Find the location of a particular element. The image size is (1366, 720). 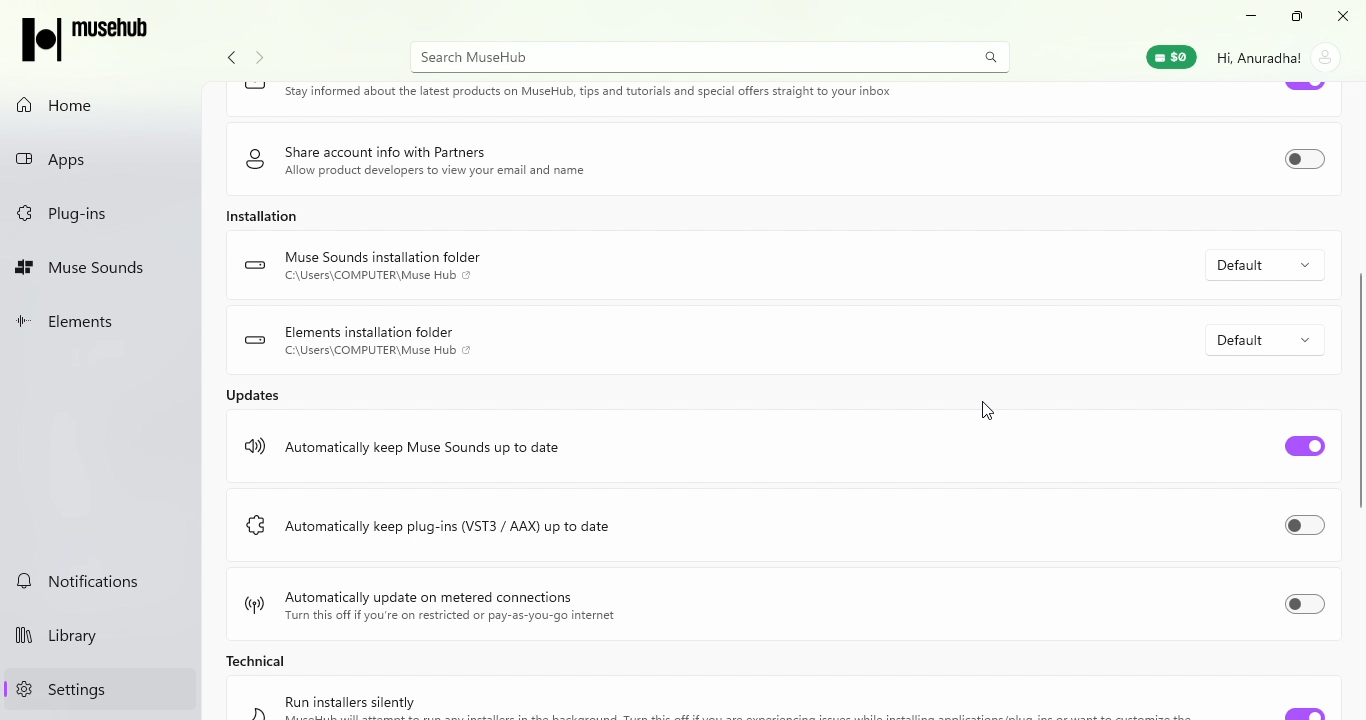

Default is located at coordinates (1262, 339).